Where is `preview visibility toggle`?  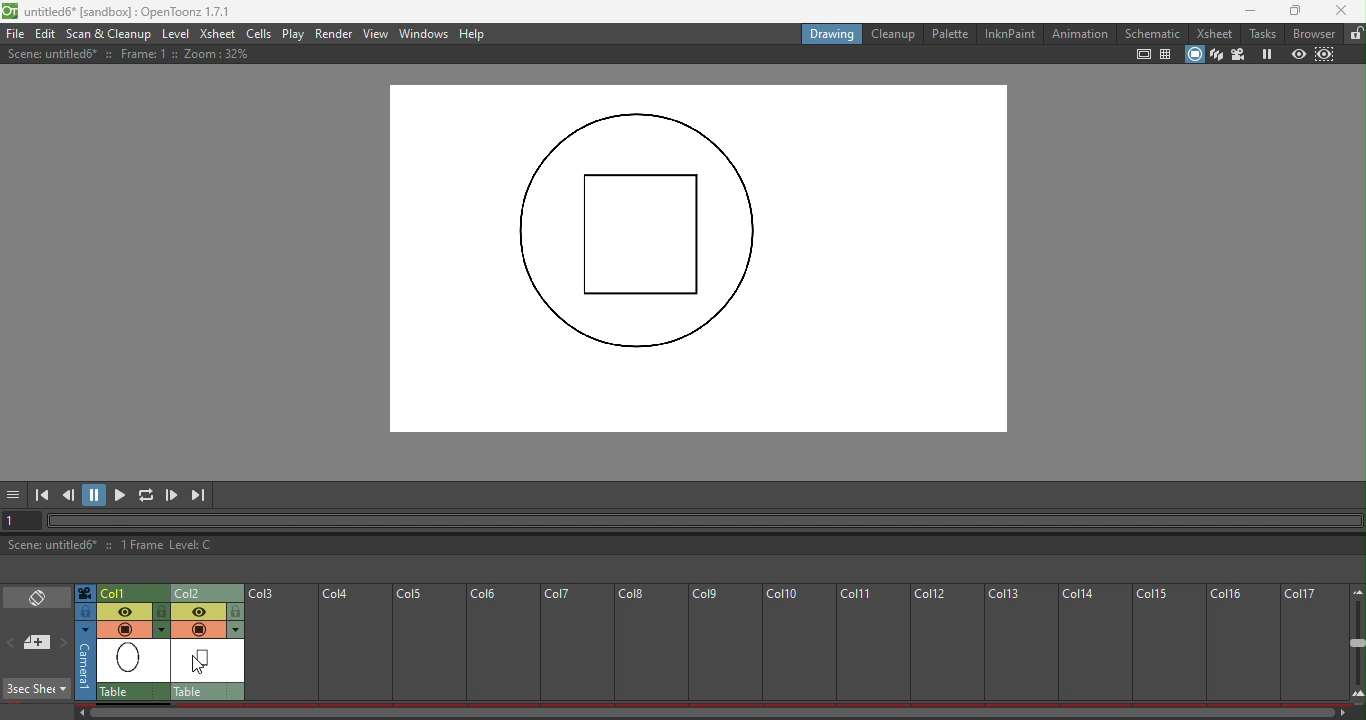
preview visibility toggle is located at coordinates (201, 610).